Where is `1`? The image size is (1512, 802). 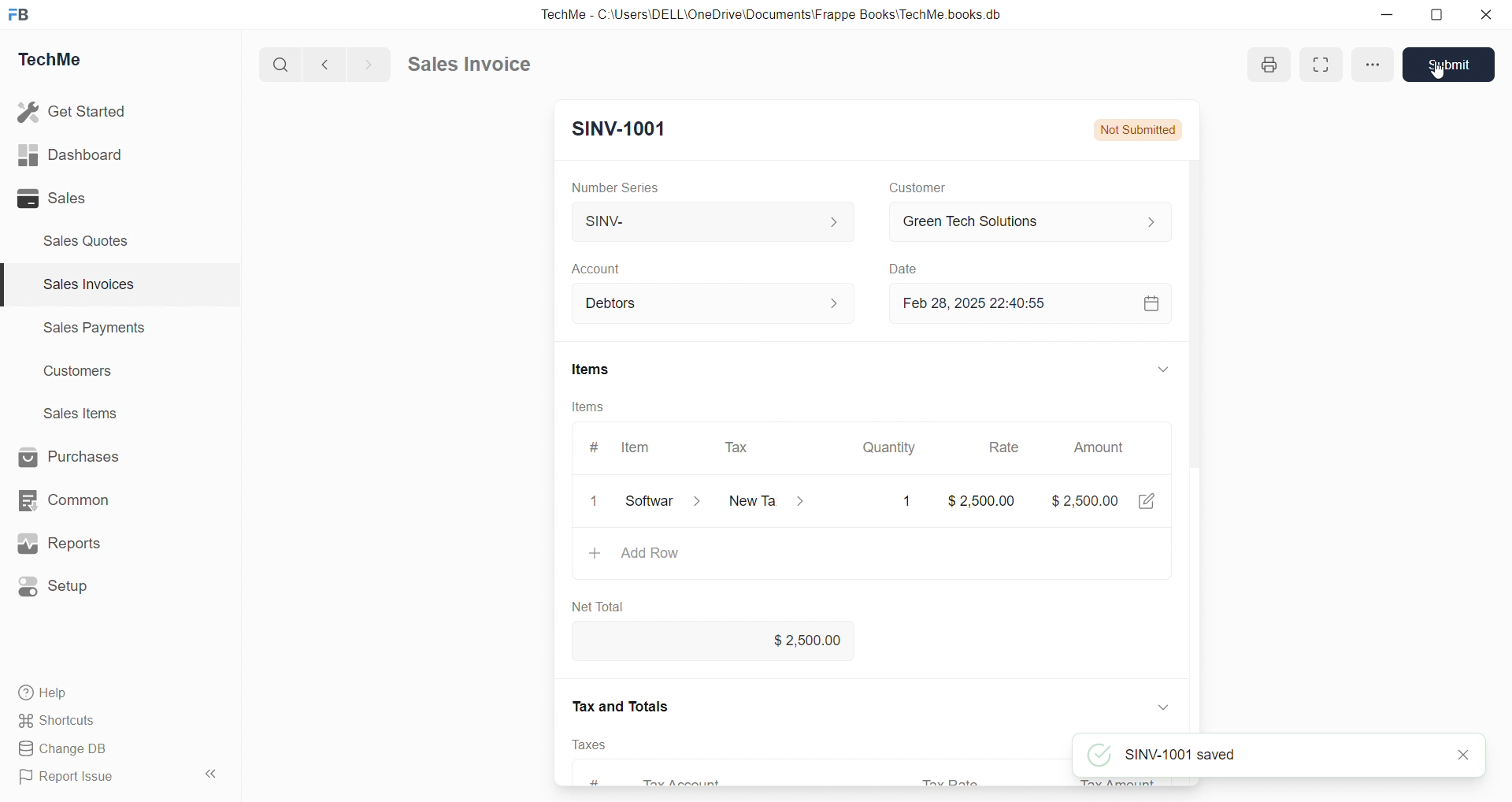
1 is located at coordinates (907, 501).